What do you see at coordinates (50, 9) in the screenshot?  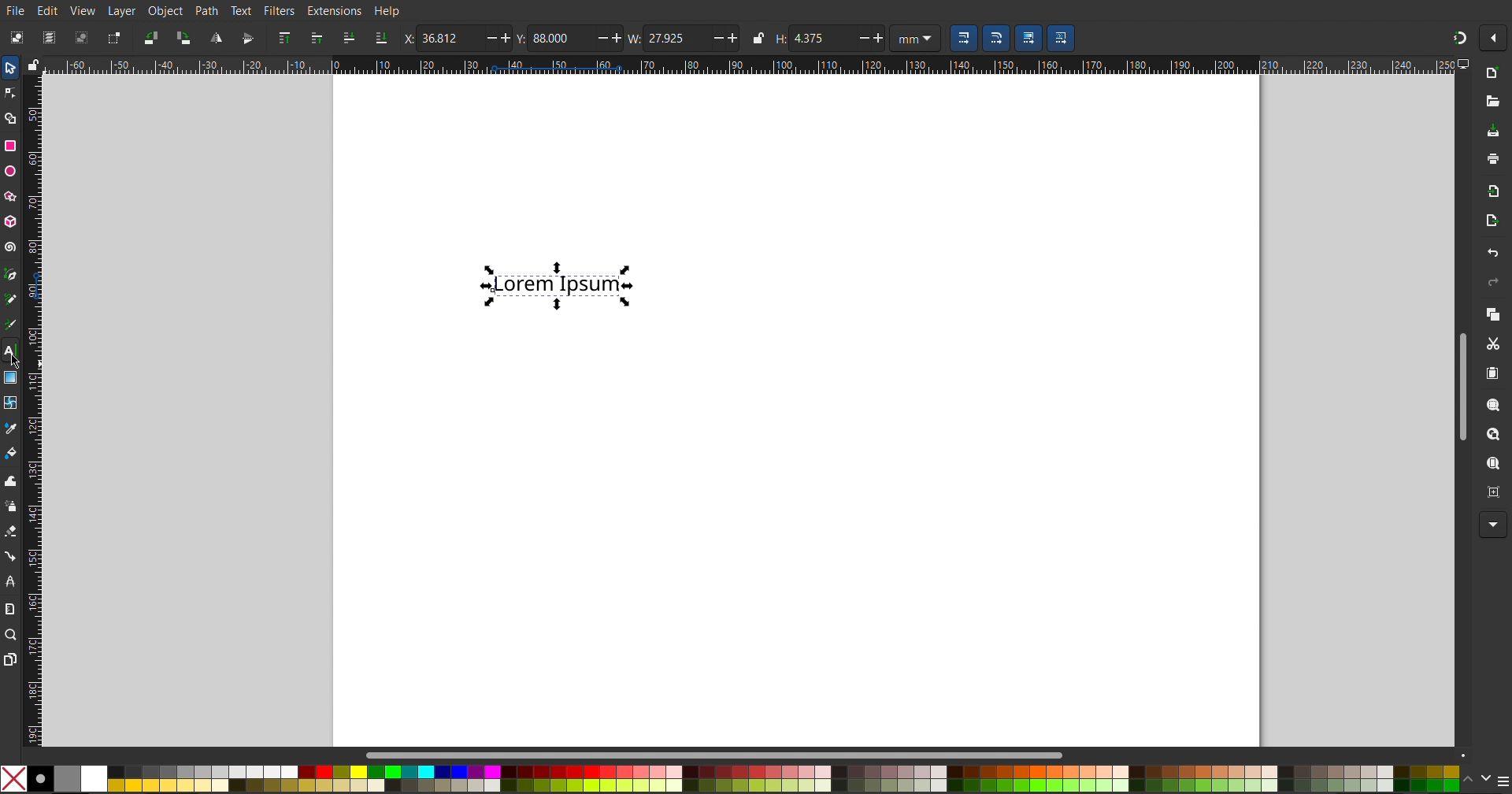 I see `Edit` at bounding box center [50, 9].